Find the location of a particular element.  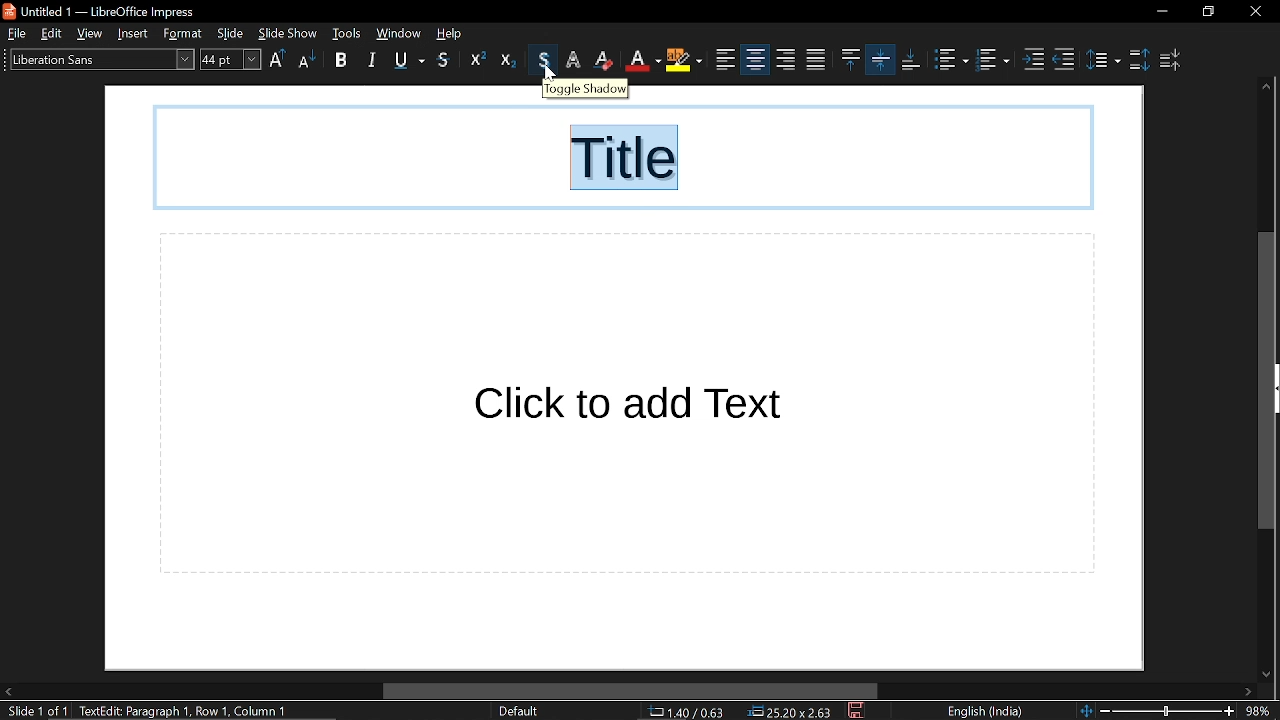

window is located at coordinates (398, 33).